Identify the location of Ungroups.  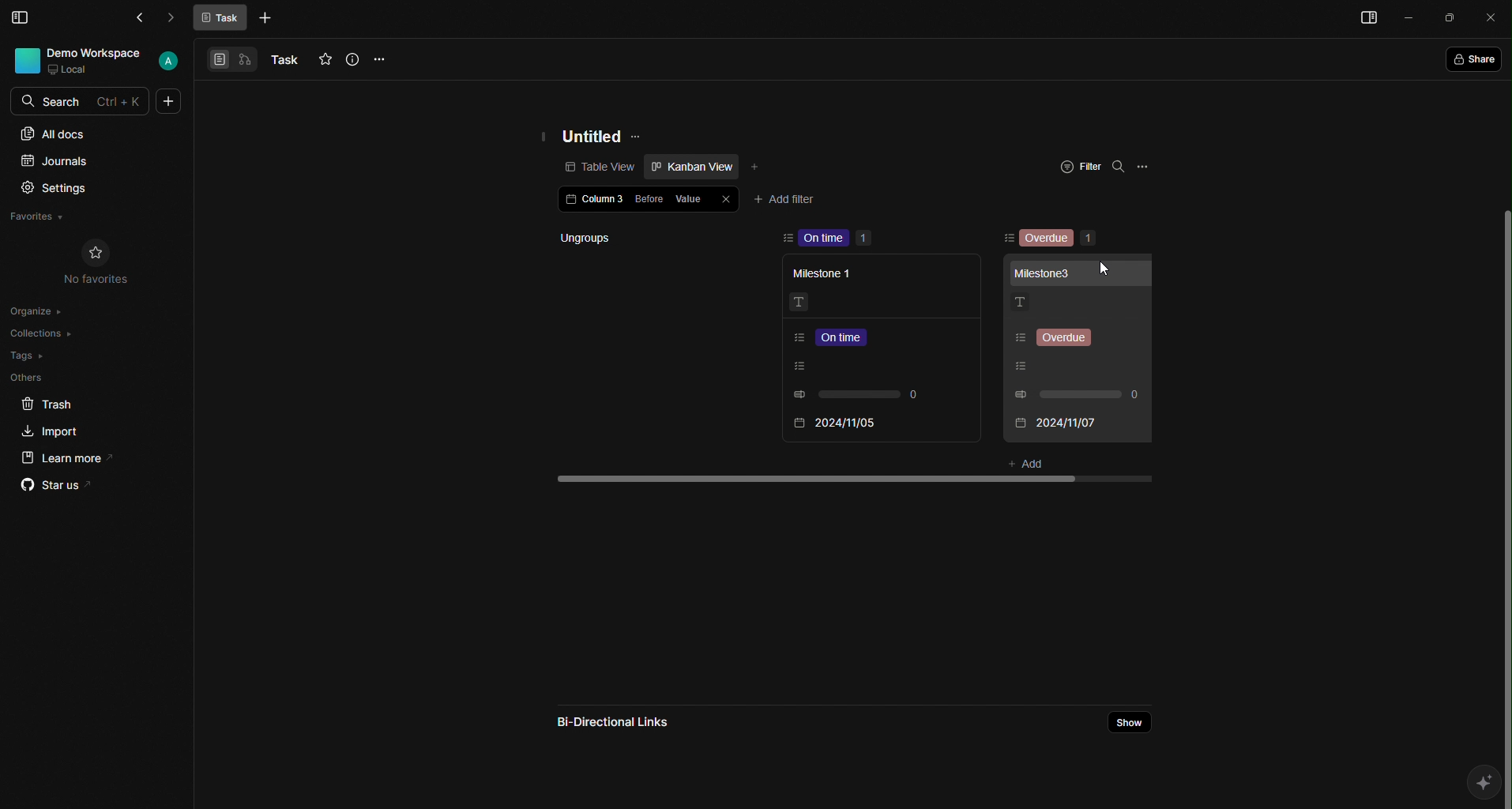
(627, 238).